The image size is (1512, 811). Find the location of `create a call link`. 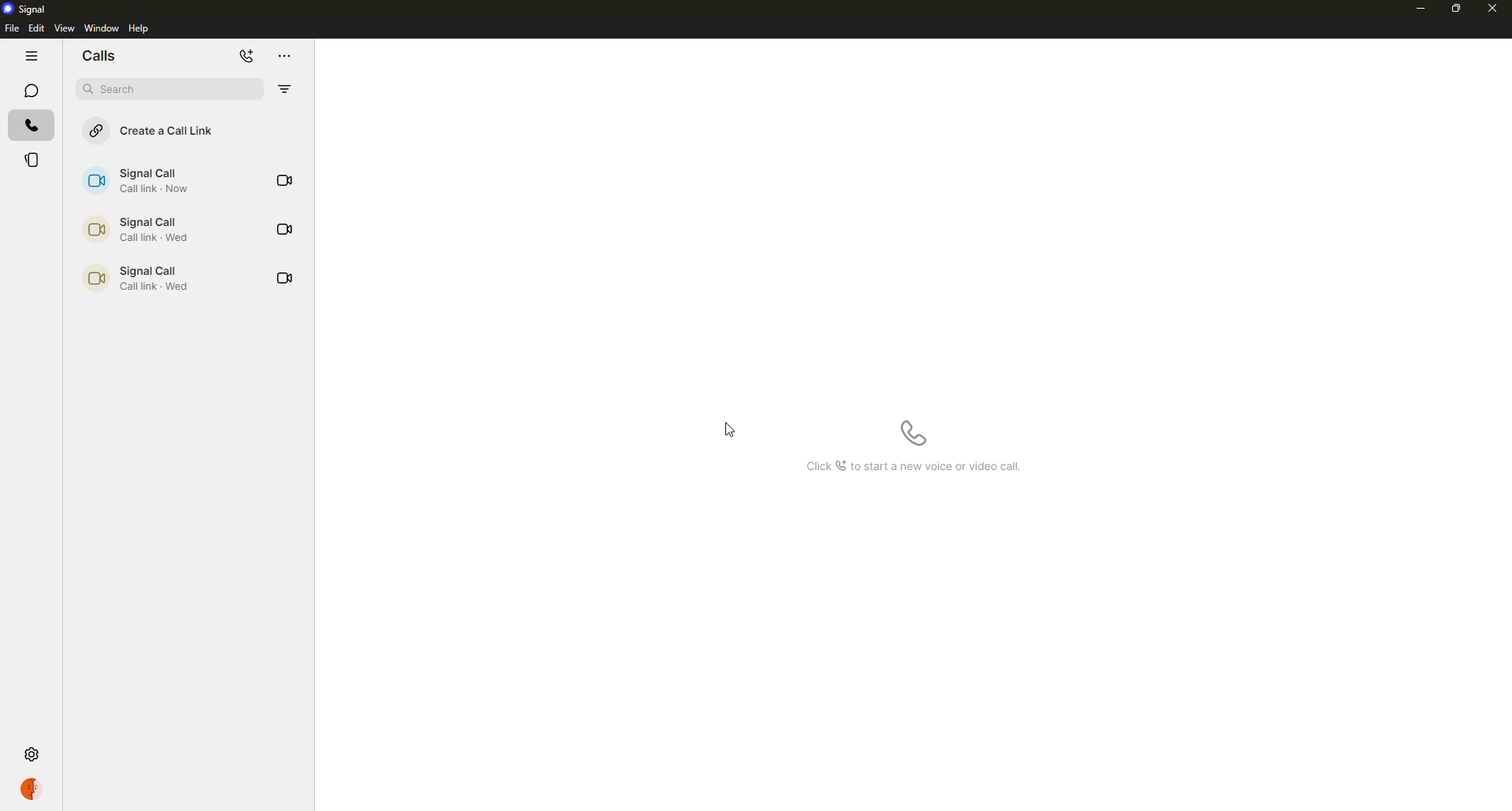

create a call link is located at coordinates (162, 130).